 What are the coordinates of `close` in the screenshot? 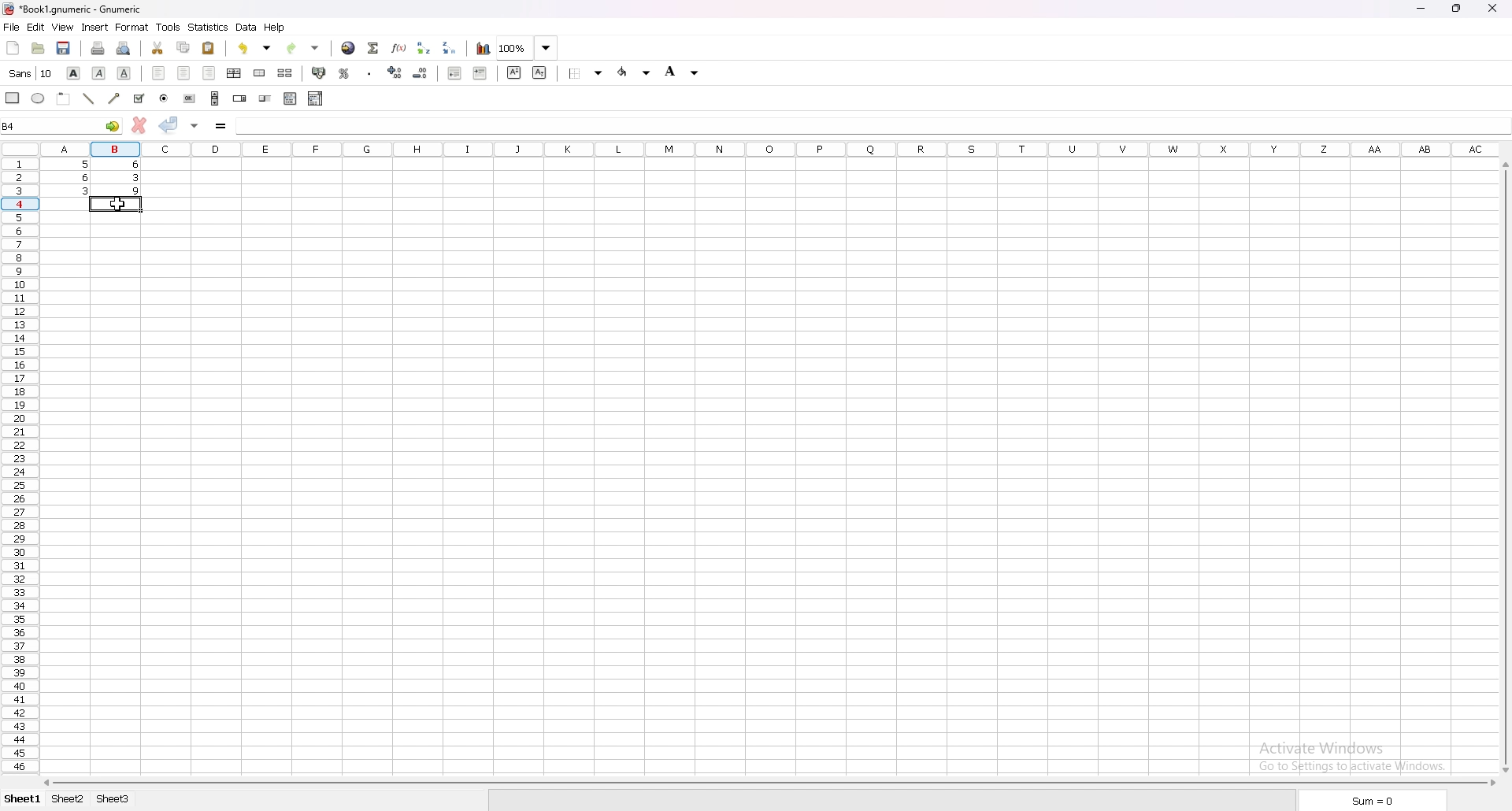 It's located at (1492, 7).